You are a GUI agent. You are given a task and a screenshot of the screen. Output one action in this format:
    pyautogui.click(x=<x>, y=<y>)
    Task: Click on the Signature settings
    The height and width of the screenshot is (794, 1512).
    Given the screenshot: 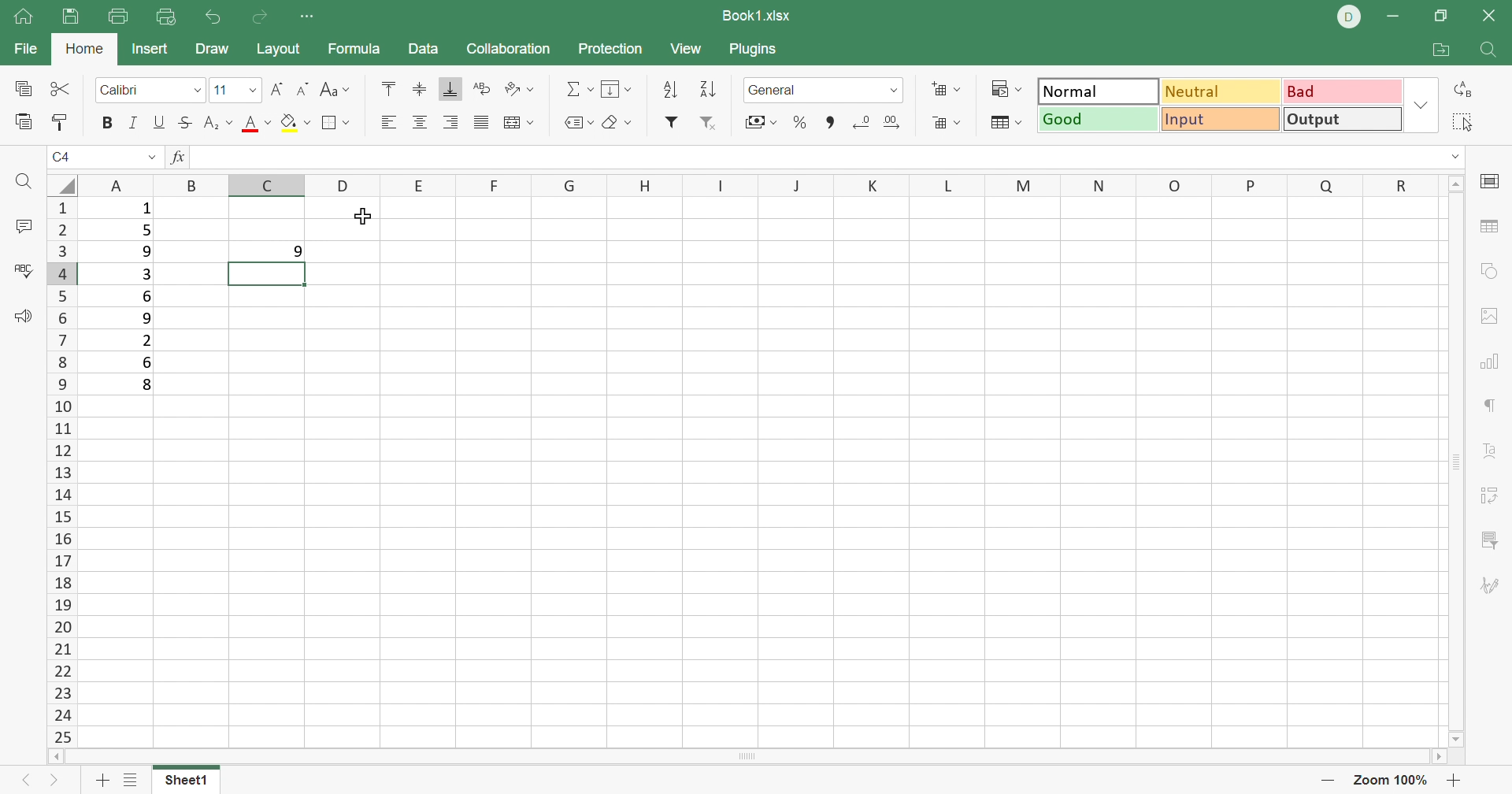 What is the action you would take?
    pyautogui.click(x=1491, y=584)
    